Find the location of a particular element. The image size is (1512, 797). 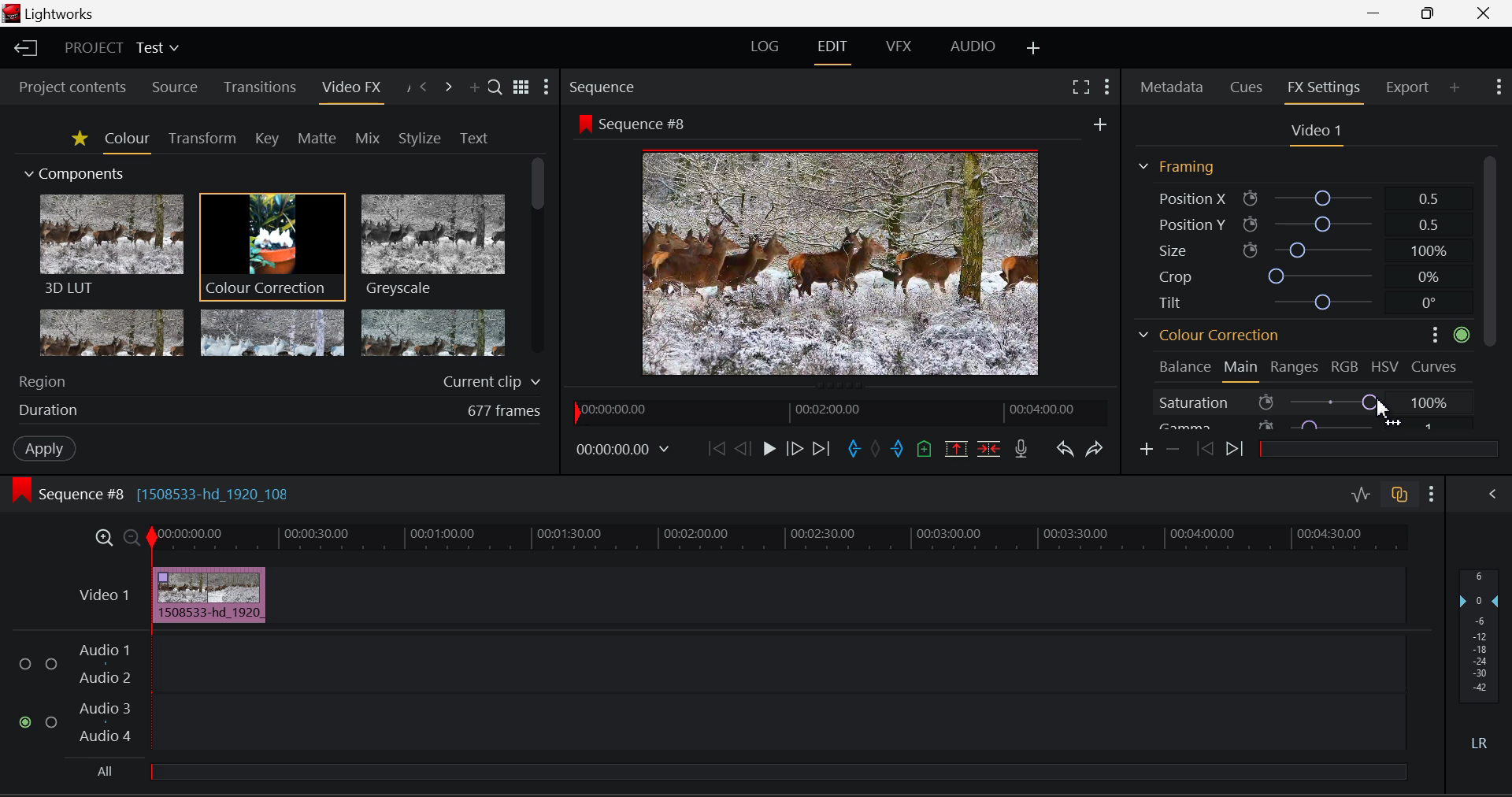

Glow is located at coordinates (113, 332).